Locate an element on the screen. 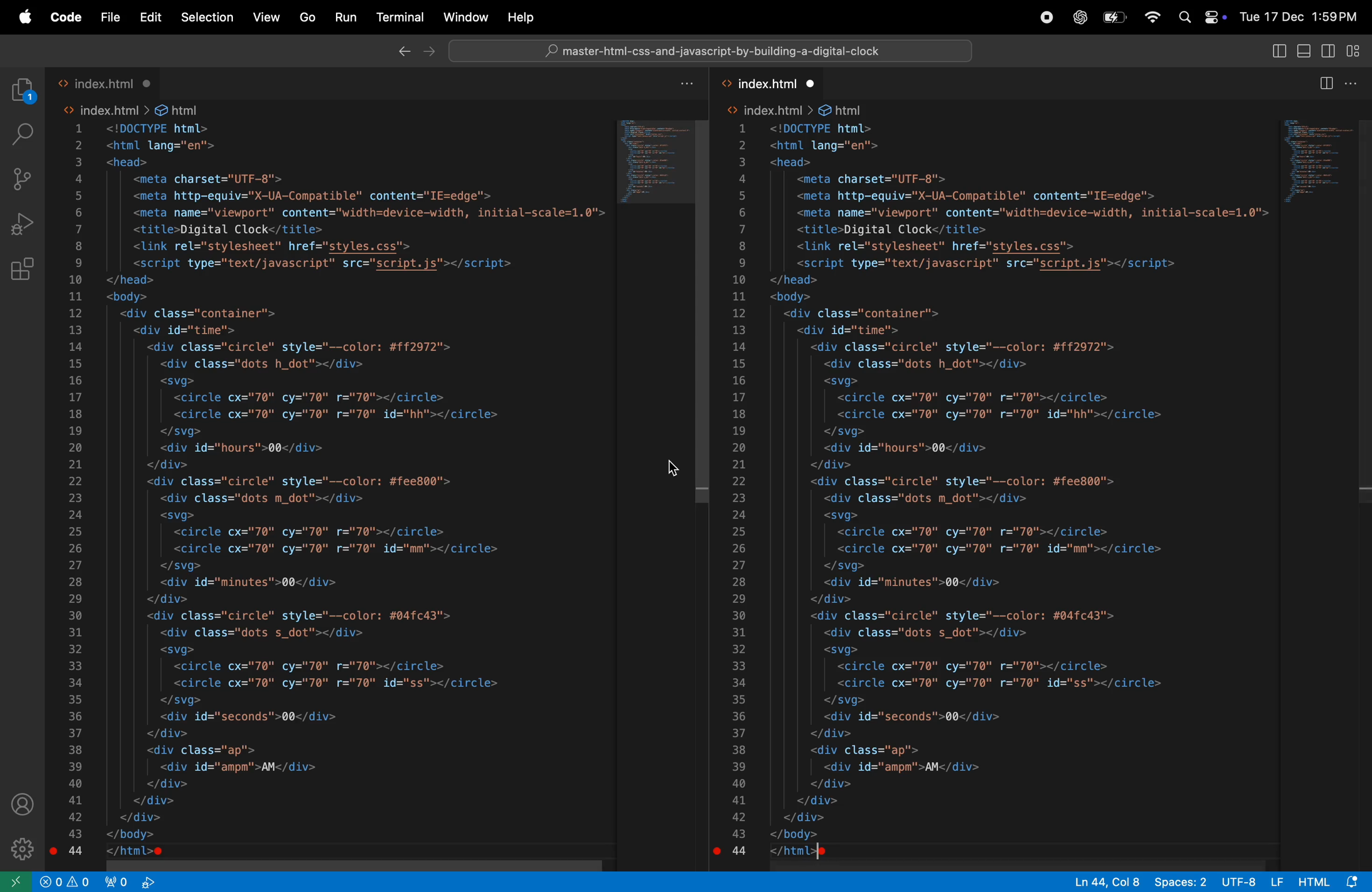 The image size is (1372, 892). preview is located at coordinates (650, 164).